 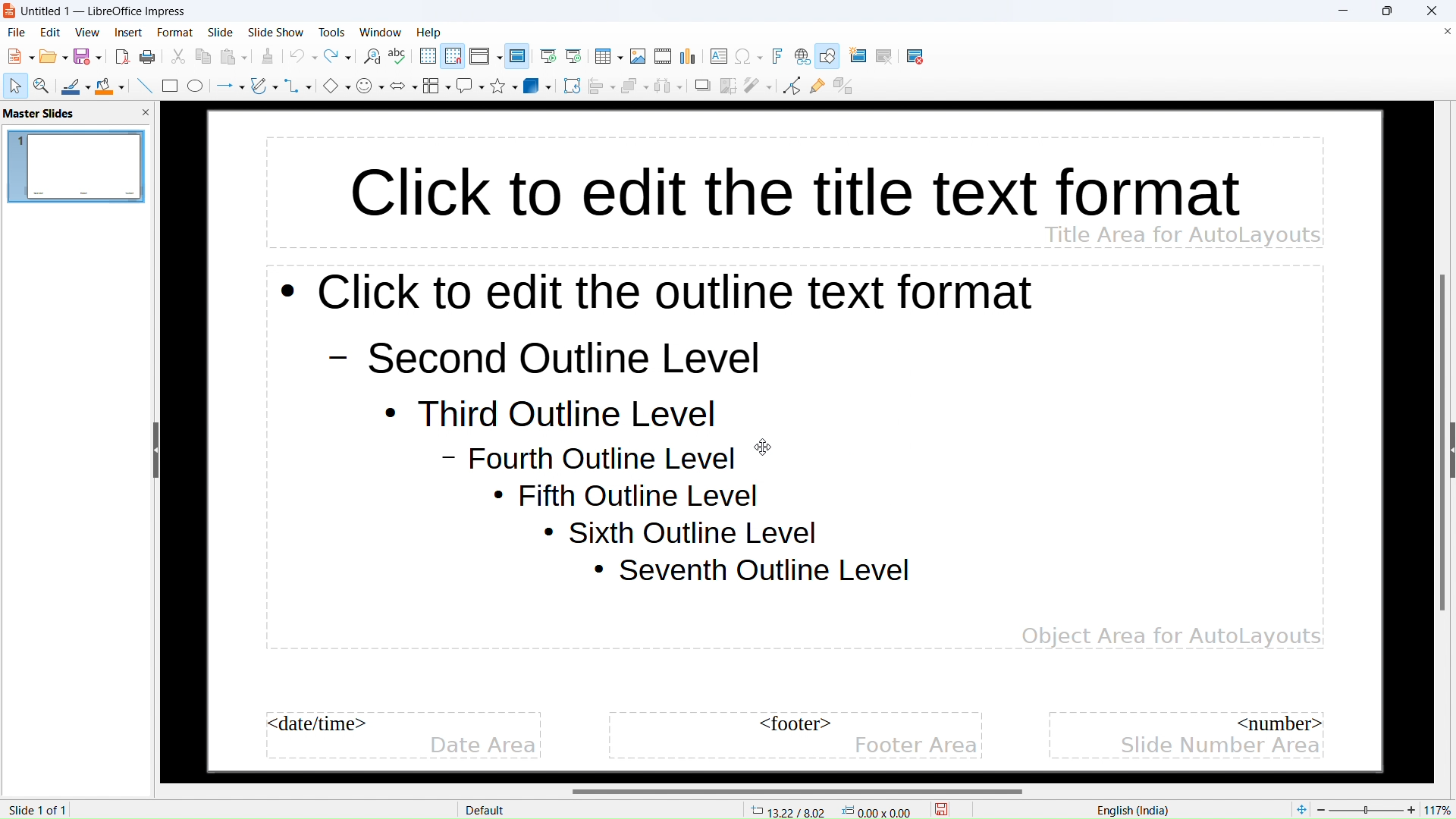 I want to click on slide, so click(x=220, y=32).